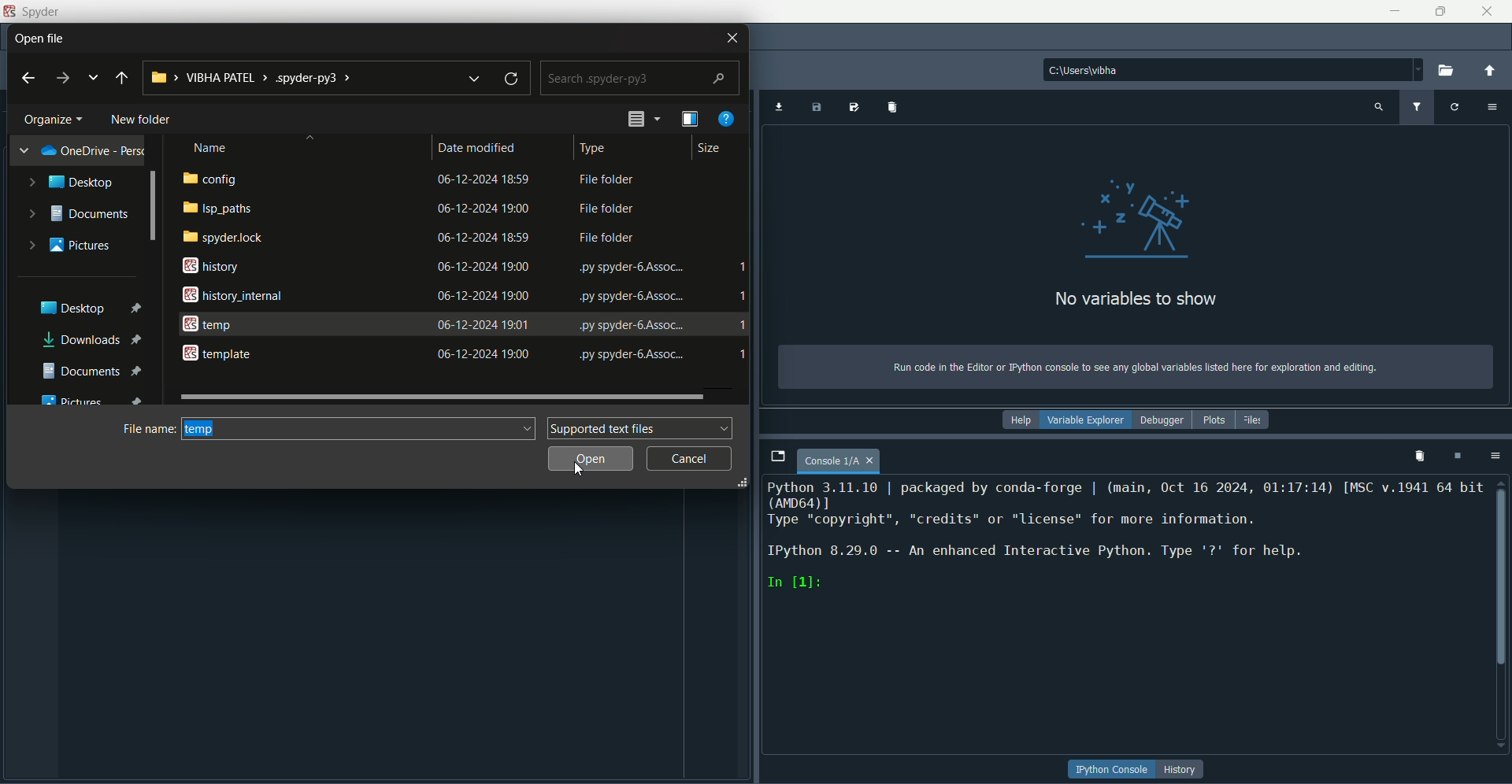  I want to click on back, so click(30, 76).